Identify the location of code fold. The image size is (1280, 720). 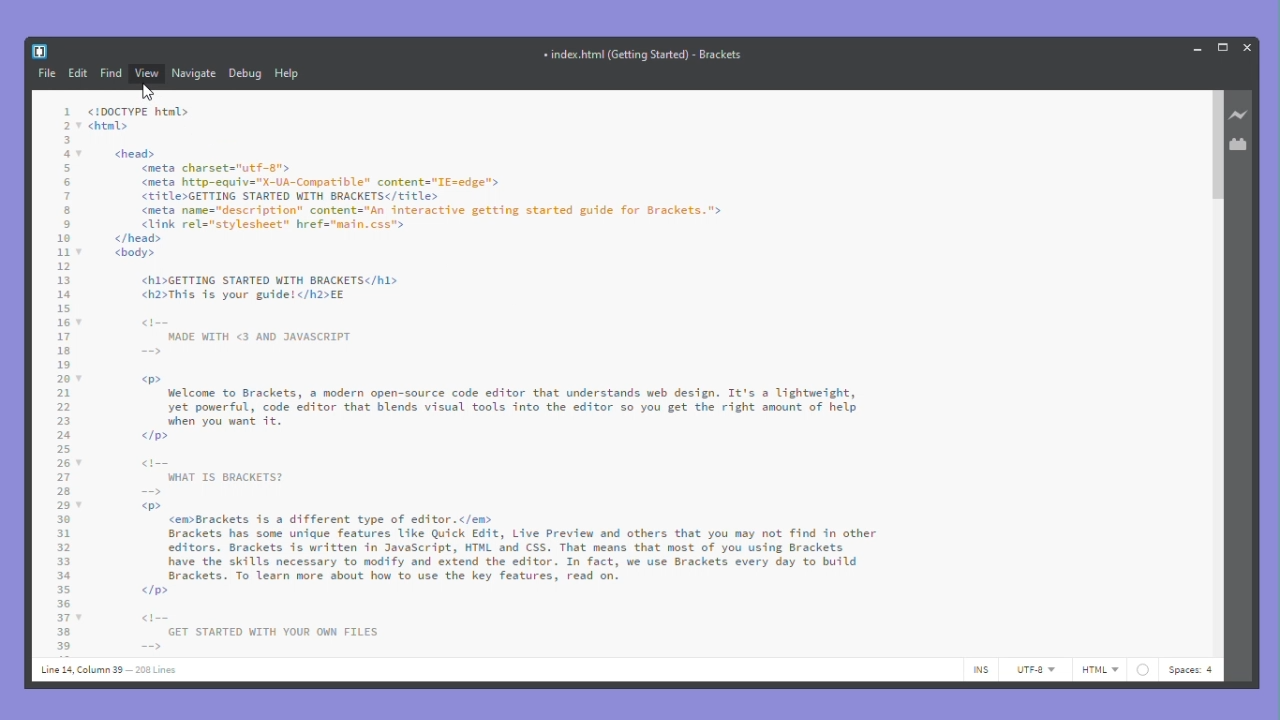
(81, 154).